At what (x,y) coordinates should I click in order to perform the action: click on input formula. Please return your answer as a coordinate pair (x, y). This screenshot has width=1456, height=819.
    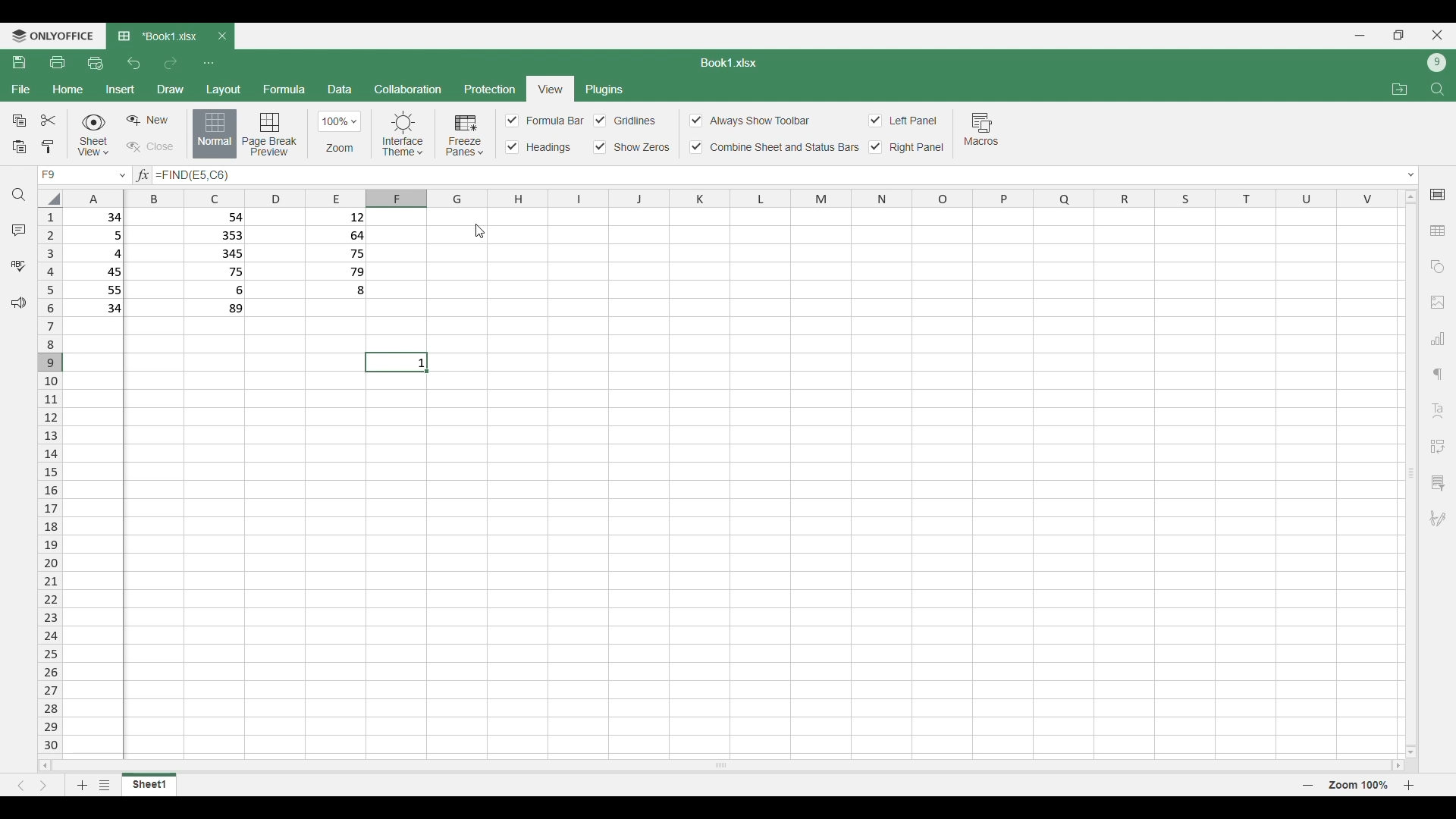
    Looking at the image, I should click on (146, 177).